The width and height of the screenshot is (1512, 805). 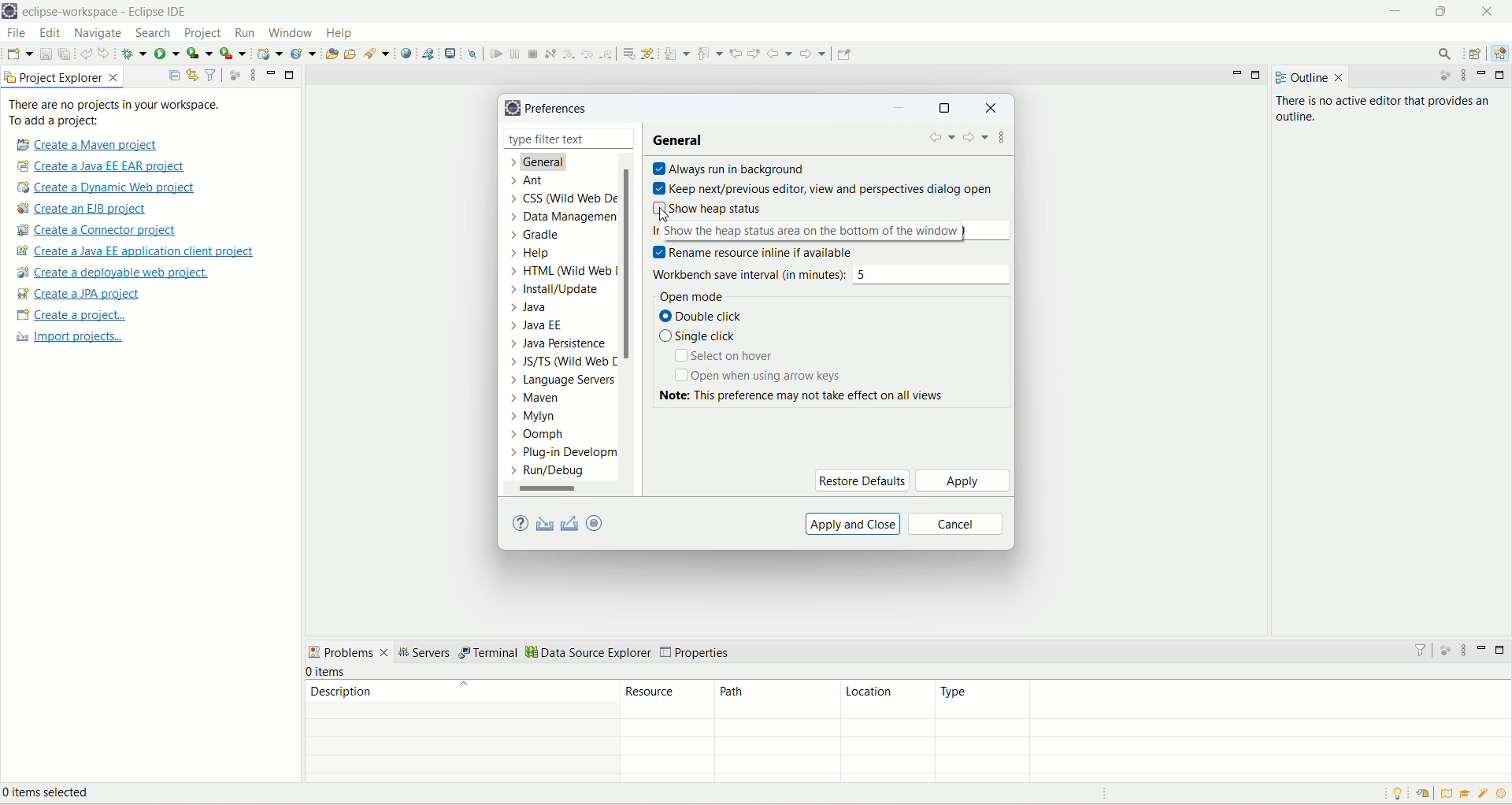 I want to click on project, so click(x=203, y=35).